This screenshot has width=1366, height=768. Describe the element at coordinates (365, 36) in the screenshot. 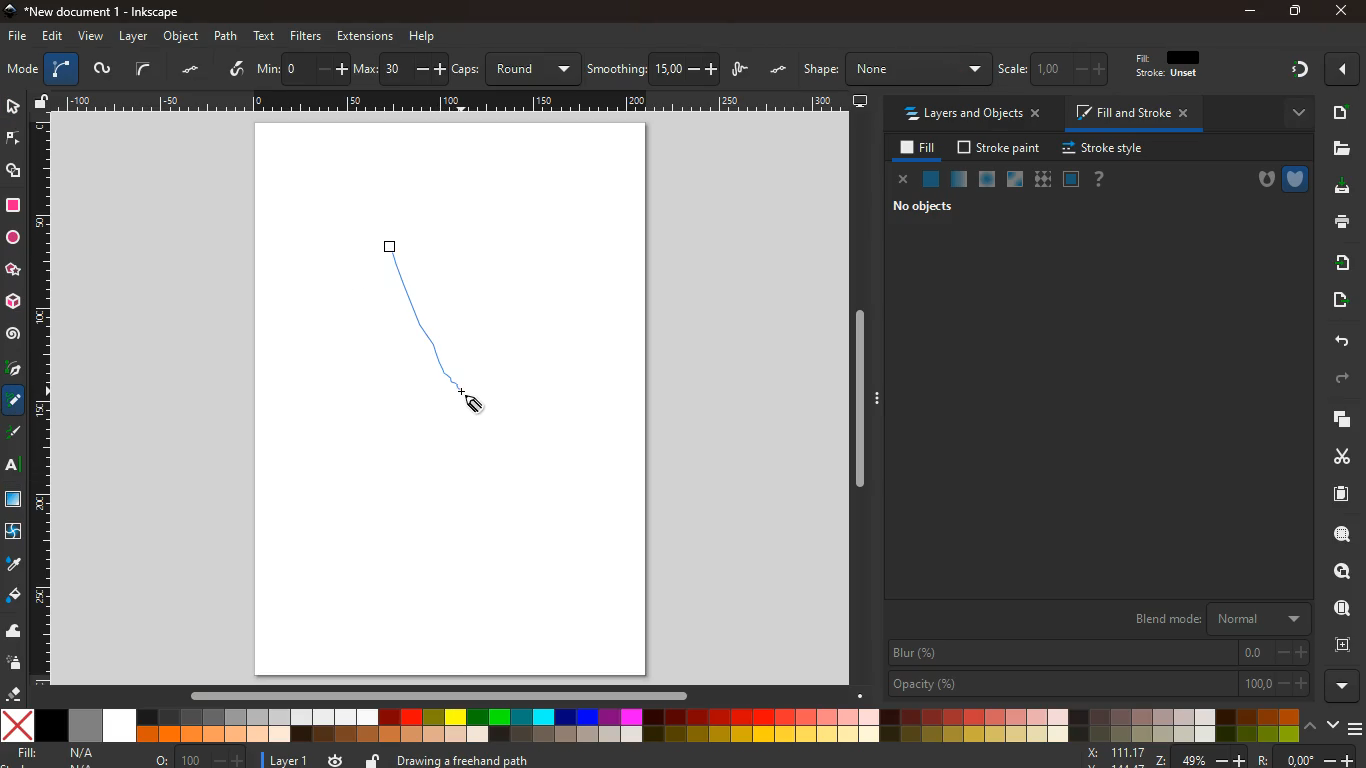

I see `extensions` at that location.